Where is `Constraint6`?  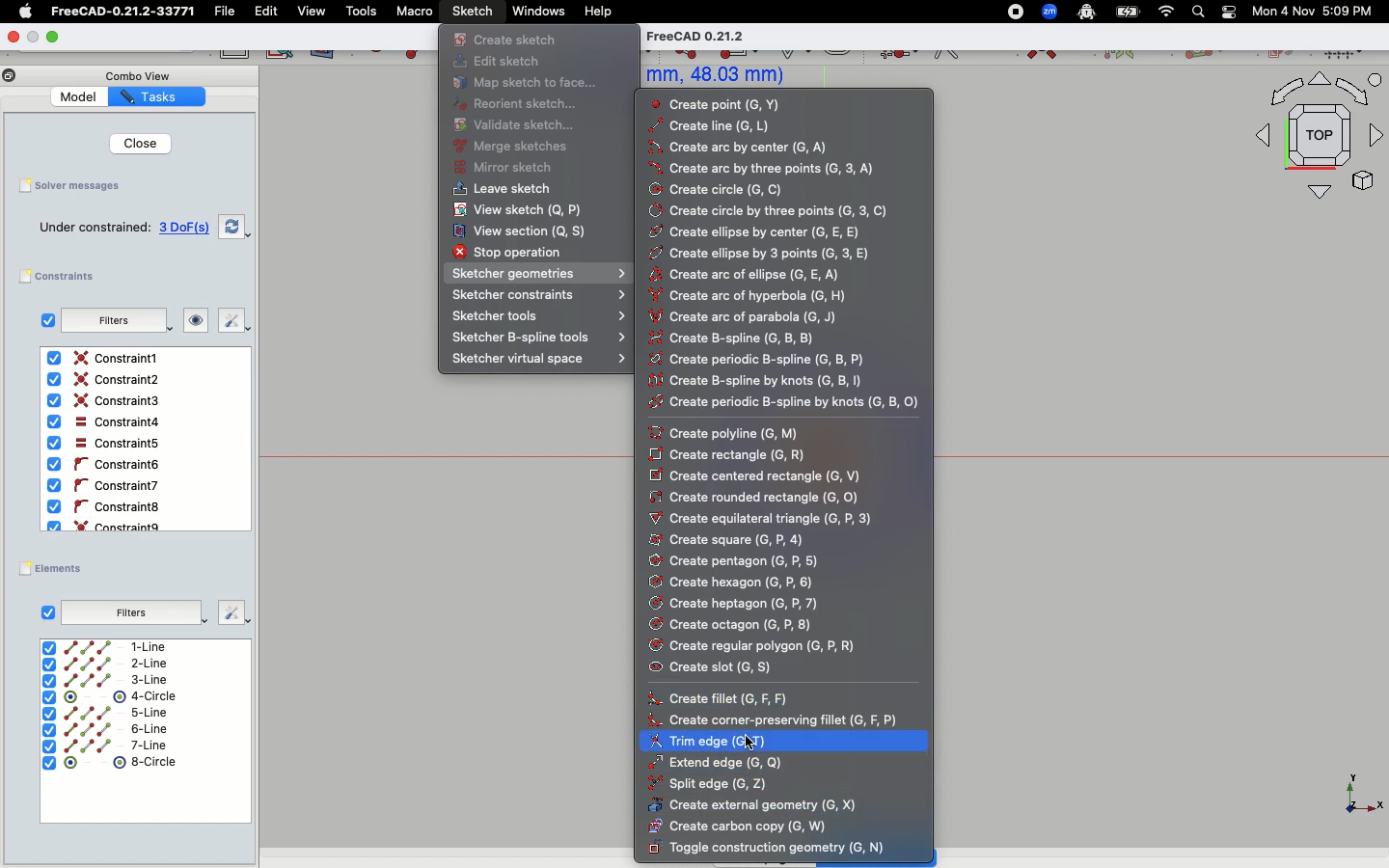
Constraint6 is located at coordinates (108, 485).